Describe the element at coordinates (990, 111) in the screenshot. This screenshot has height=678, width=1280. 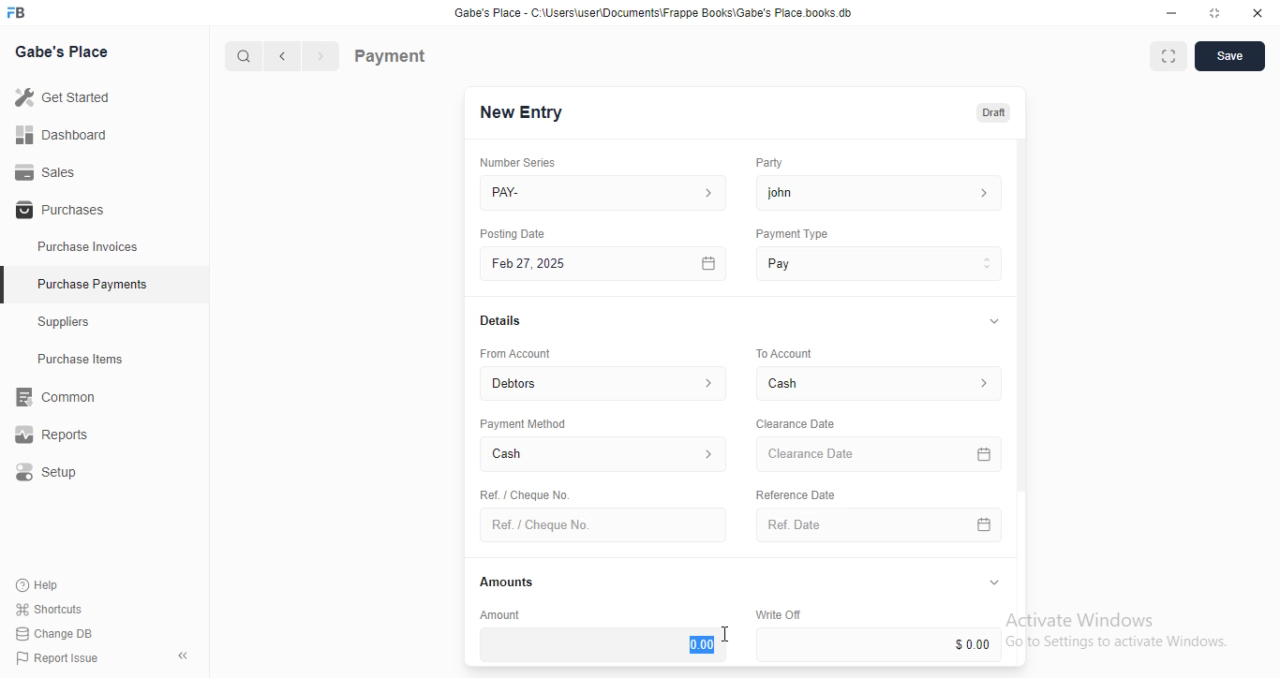
I see `Draft` at that location.